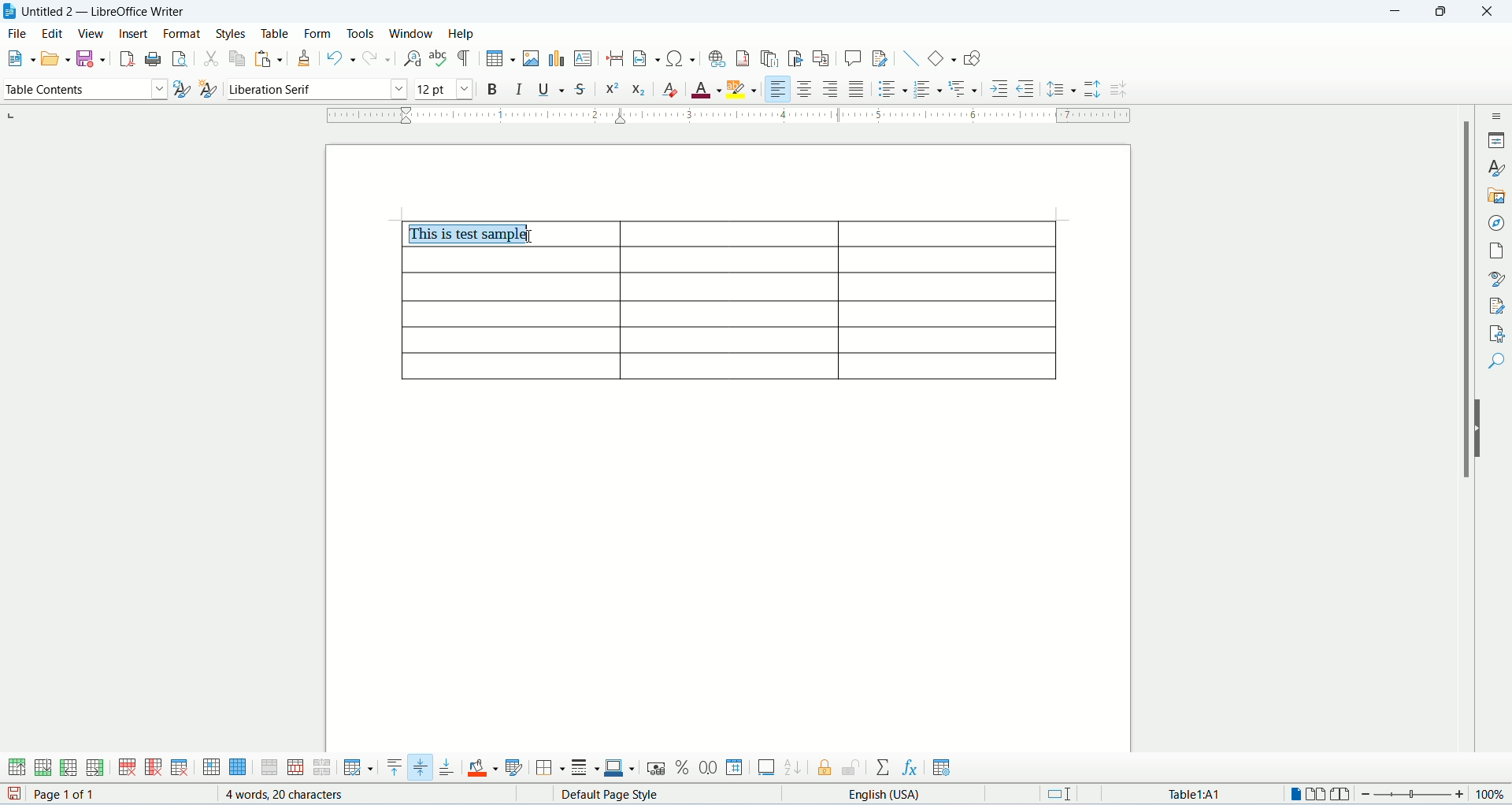 The image size is (1512, 805). What do you see at coordinates (1064, 795) in the screenshot?
I see `standard selection` at bounding box center [1064, 795].